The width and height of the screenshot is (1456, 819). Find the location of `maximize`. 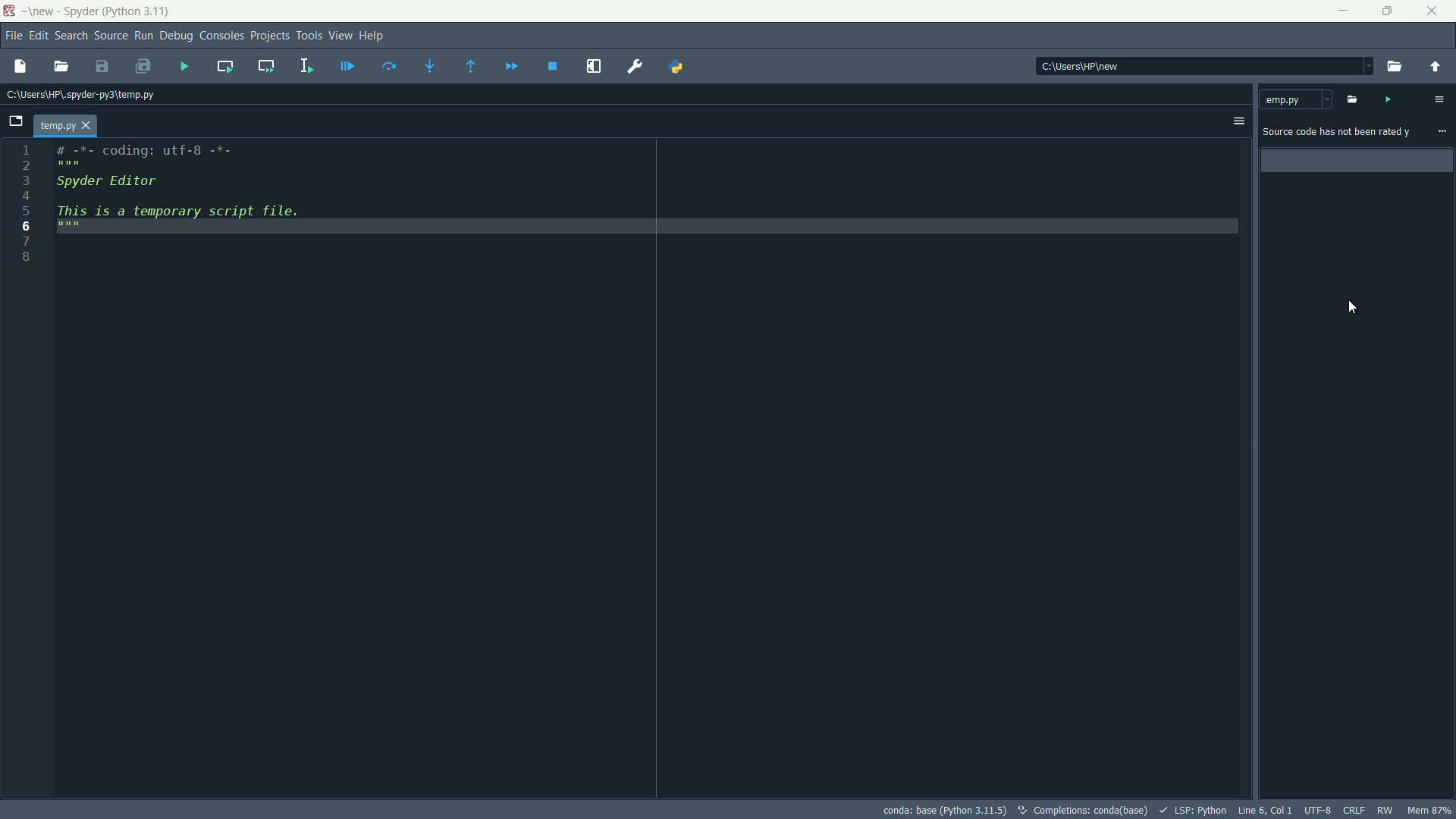

maximize is located at coordinates (1389, 11).